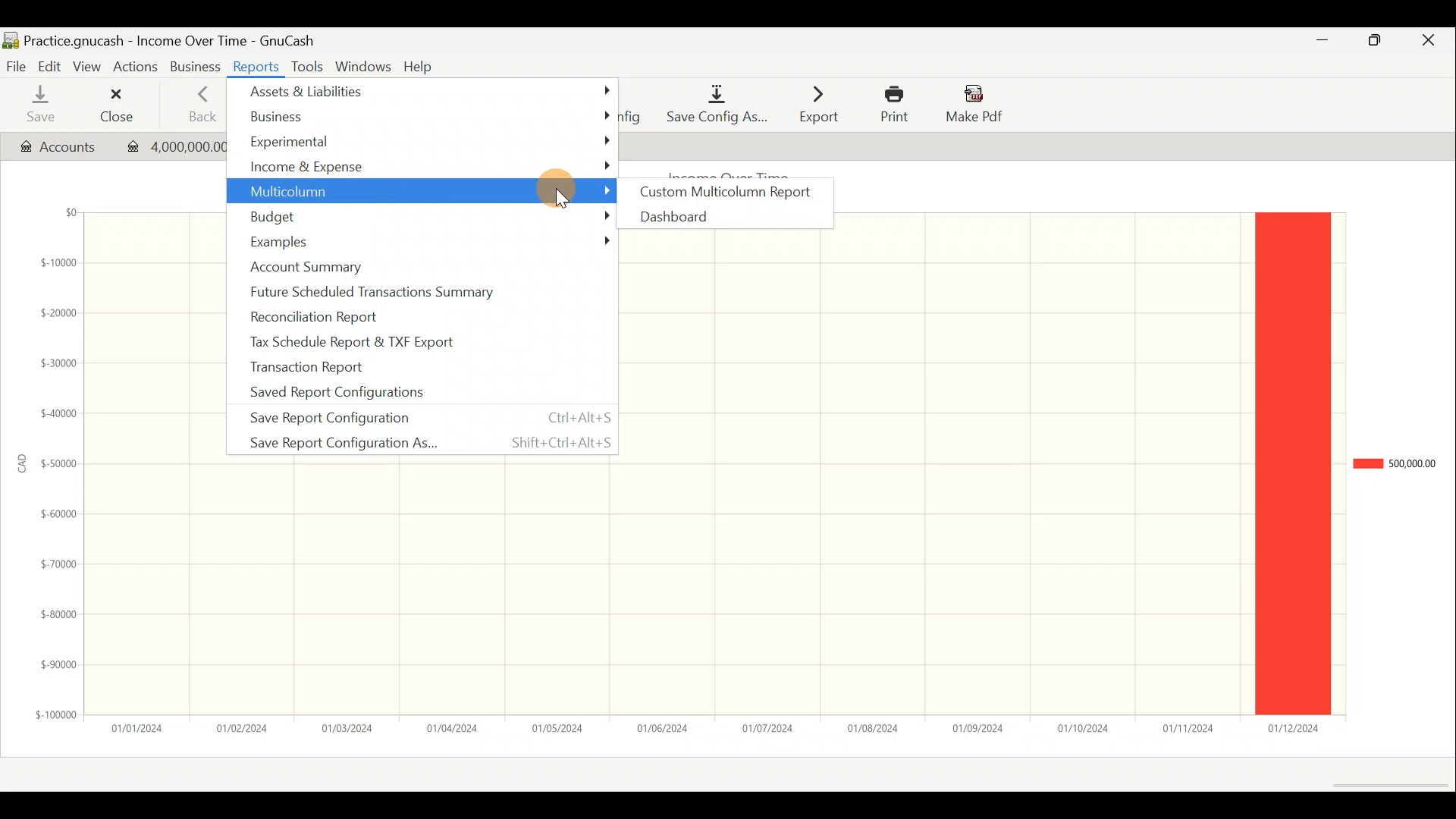  I want to click on Future scheduled transactions summary, so click(417, 295).